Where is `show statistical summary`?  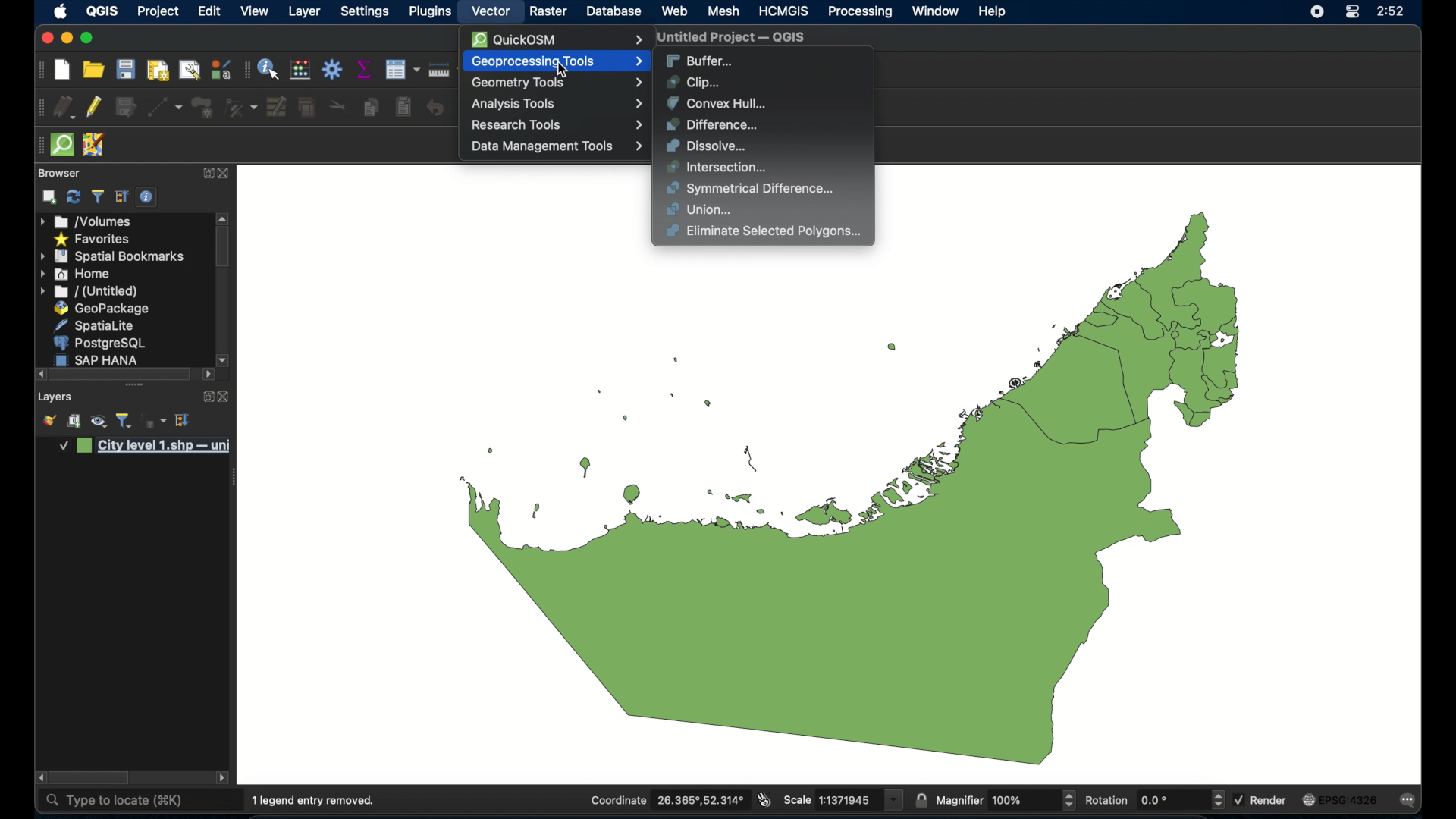 show statistical summary is located at coordinates (365, 70).